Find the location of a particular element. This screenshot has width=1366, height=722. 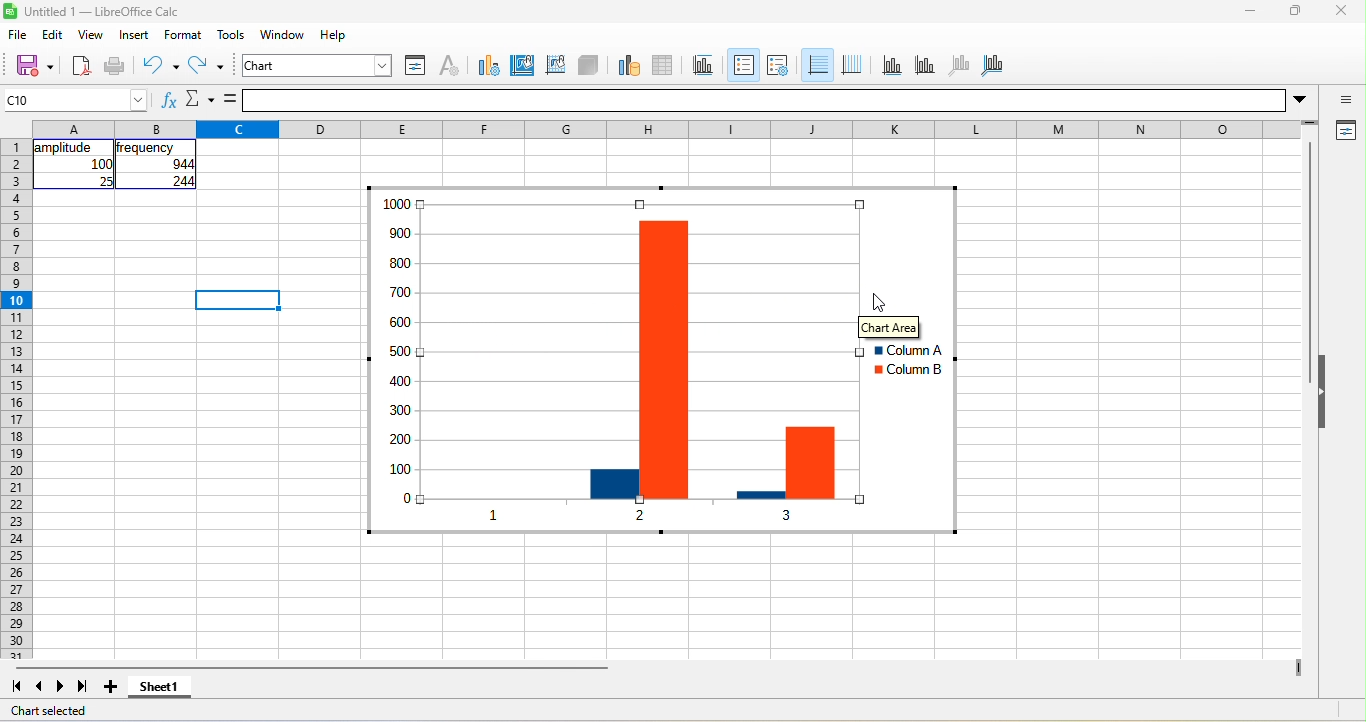

rows is located at coordinates (15, 399).